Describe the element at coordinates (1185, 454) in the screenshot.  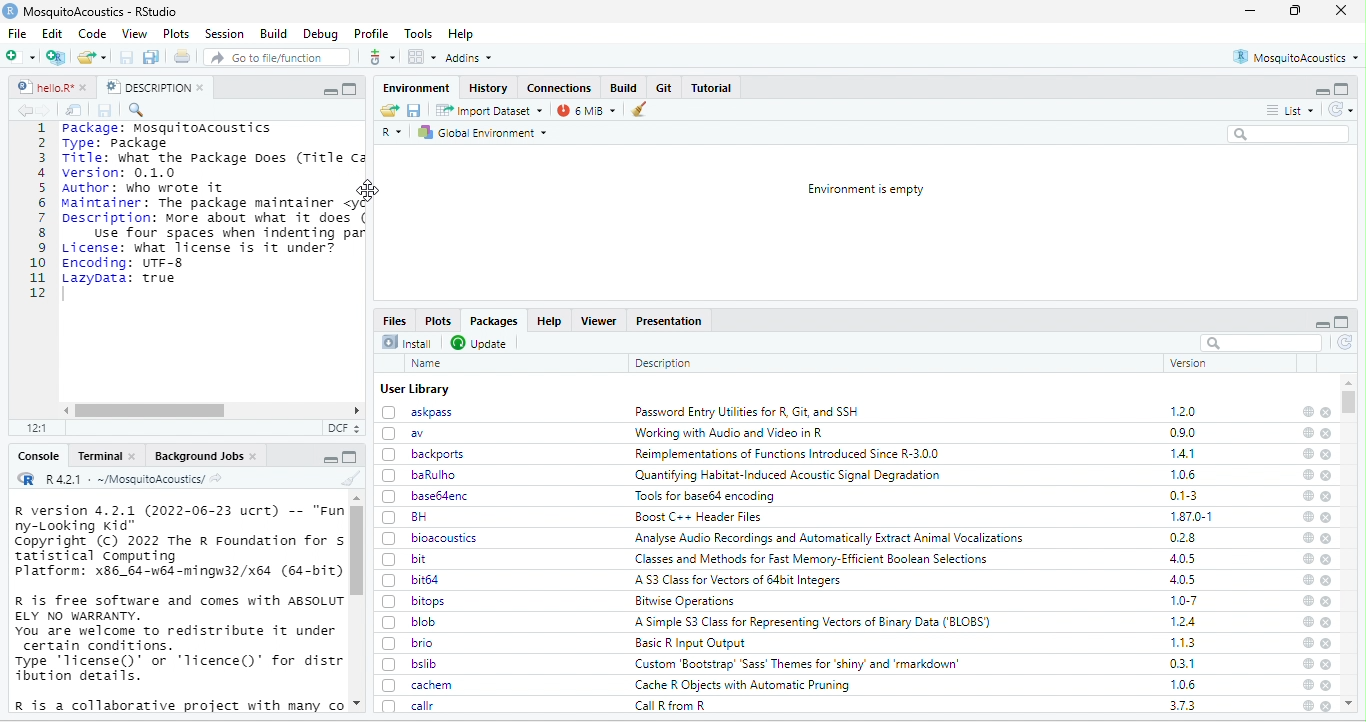
I see `1.4.1` at that location.